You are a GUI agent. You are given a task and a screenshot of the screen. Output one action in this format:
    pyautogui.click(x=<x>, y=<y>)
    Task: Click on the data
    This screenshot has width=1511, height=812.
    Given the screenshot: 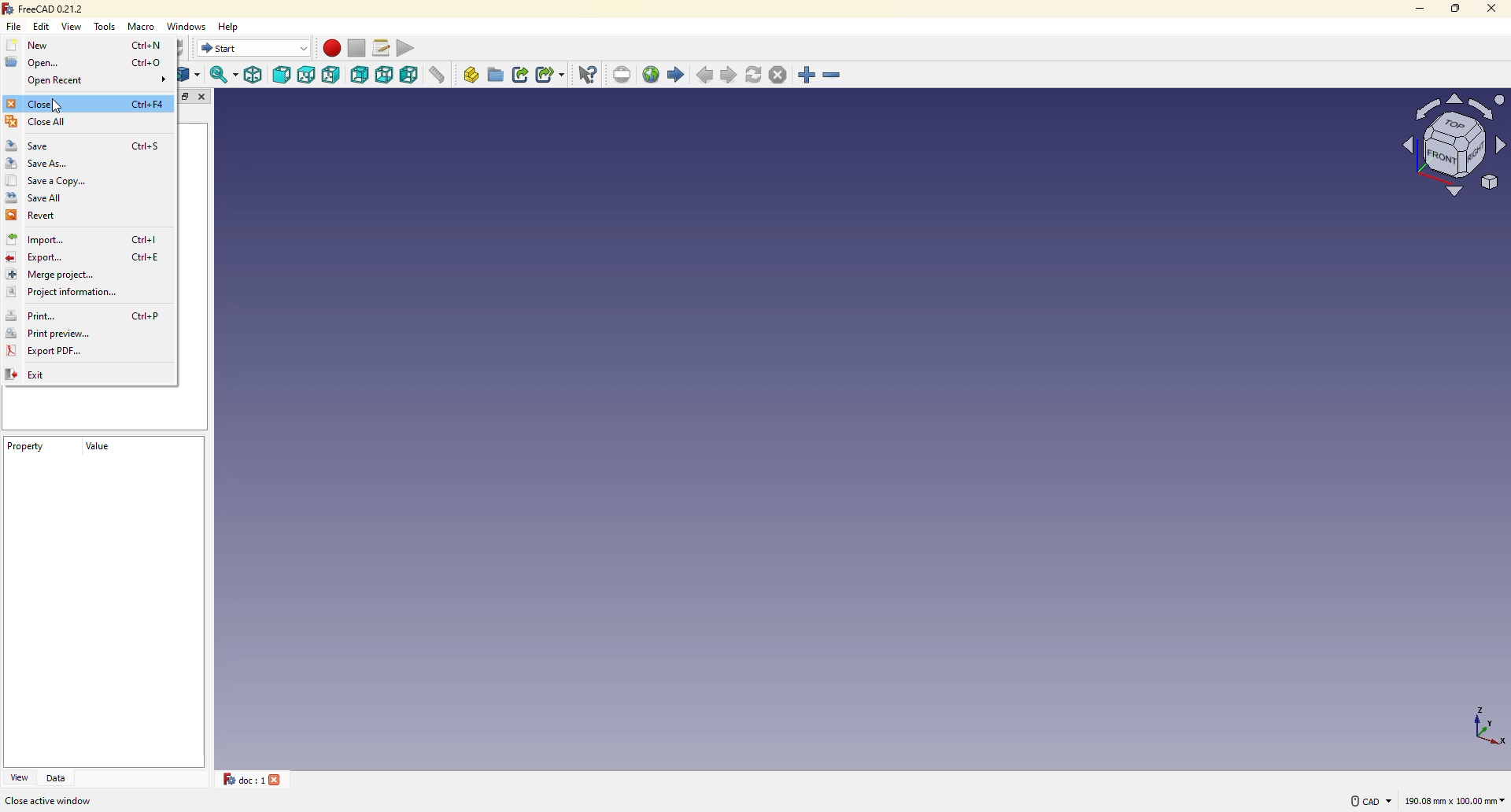 What is the action you would take?
    pyautogui.click(x=57, y=778)
    